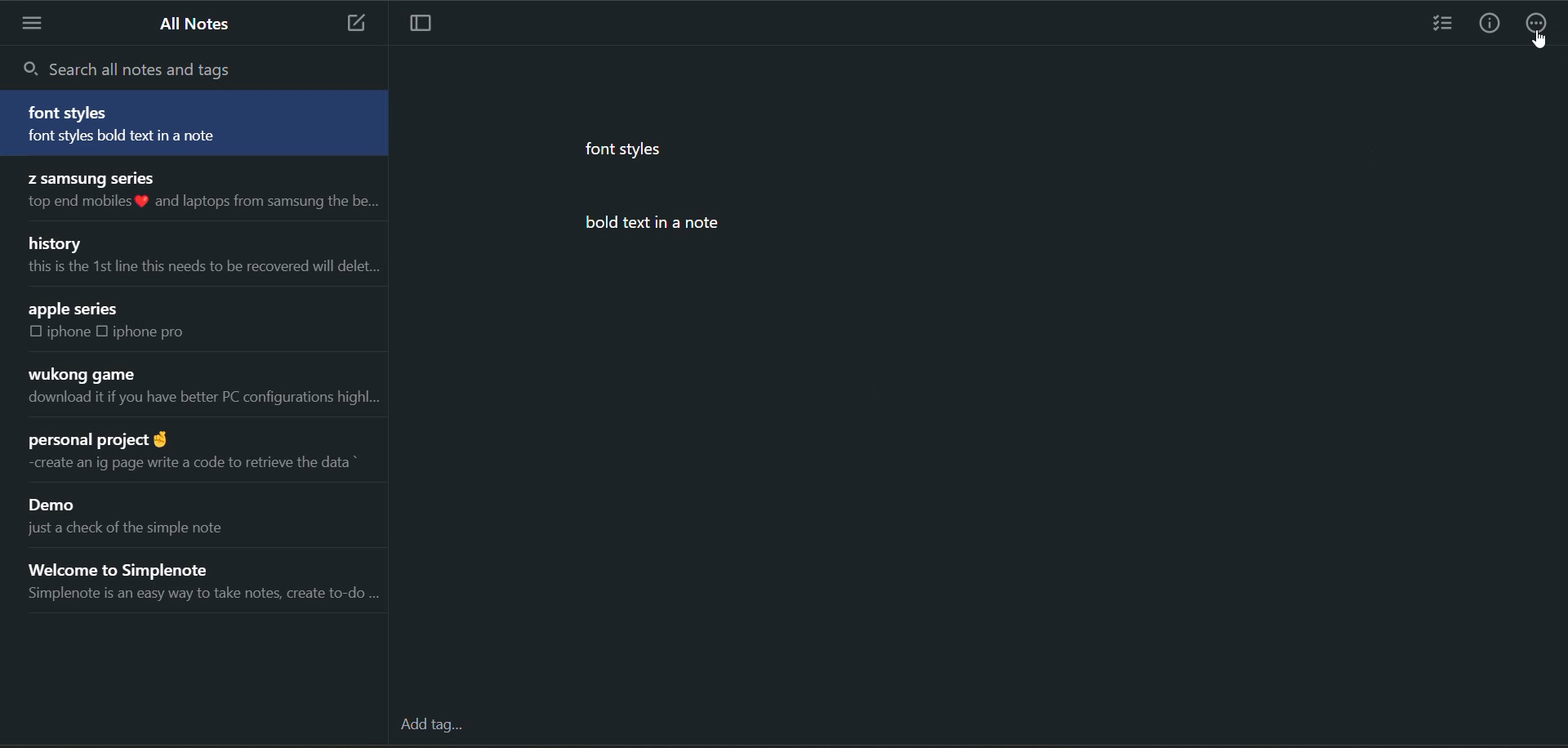 This screenshot has width=1568, height=748. What do you see at coordinates (75, 309) in the screenshot?
I see `apple series` at bounding box center [75, 309].